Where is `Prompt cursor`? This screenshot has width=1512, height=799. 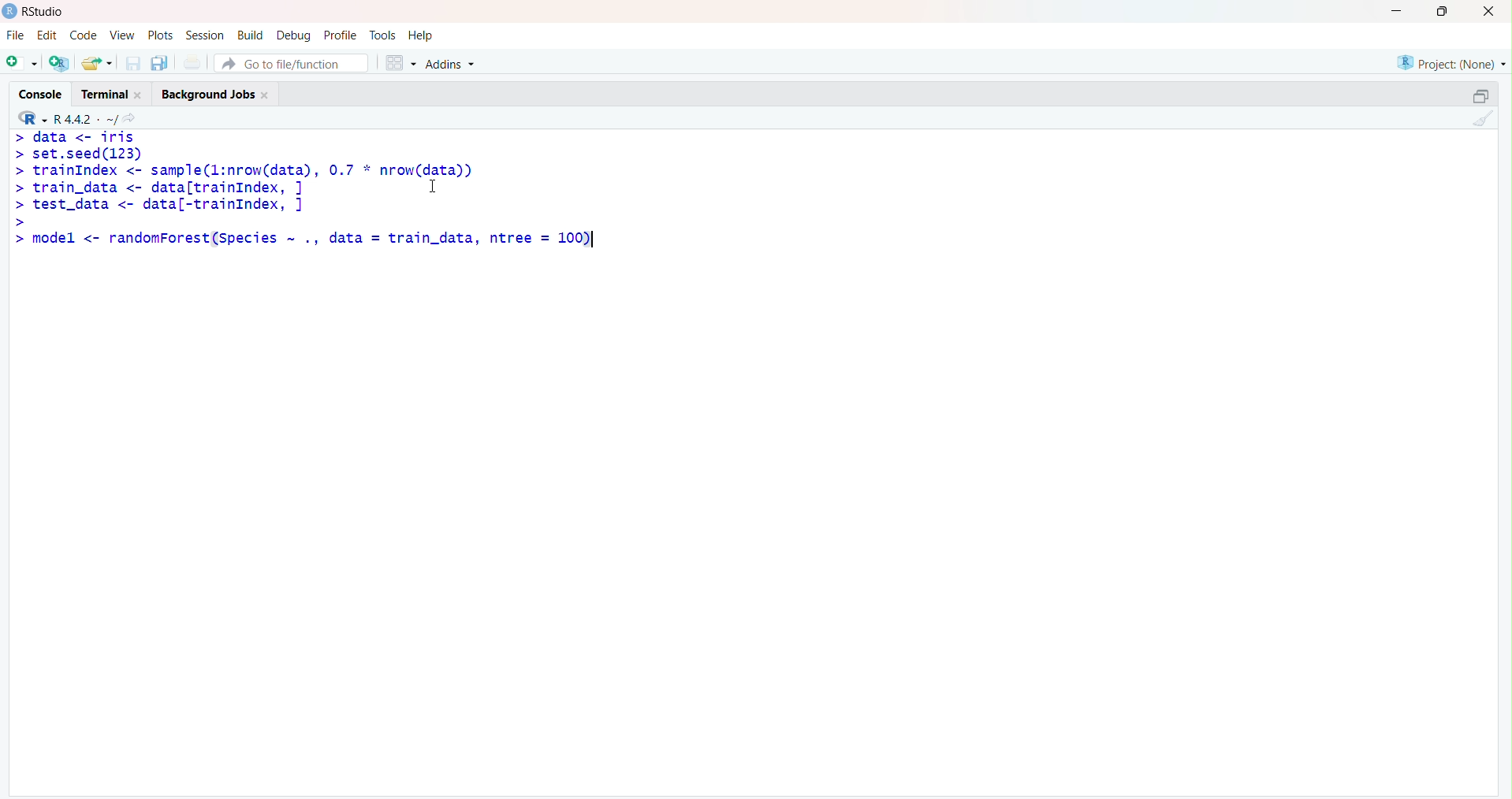 Prompt cursor is located at coordinates (19, 188).